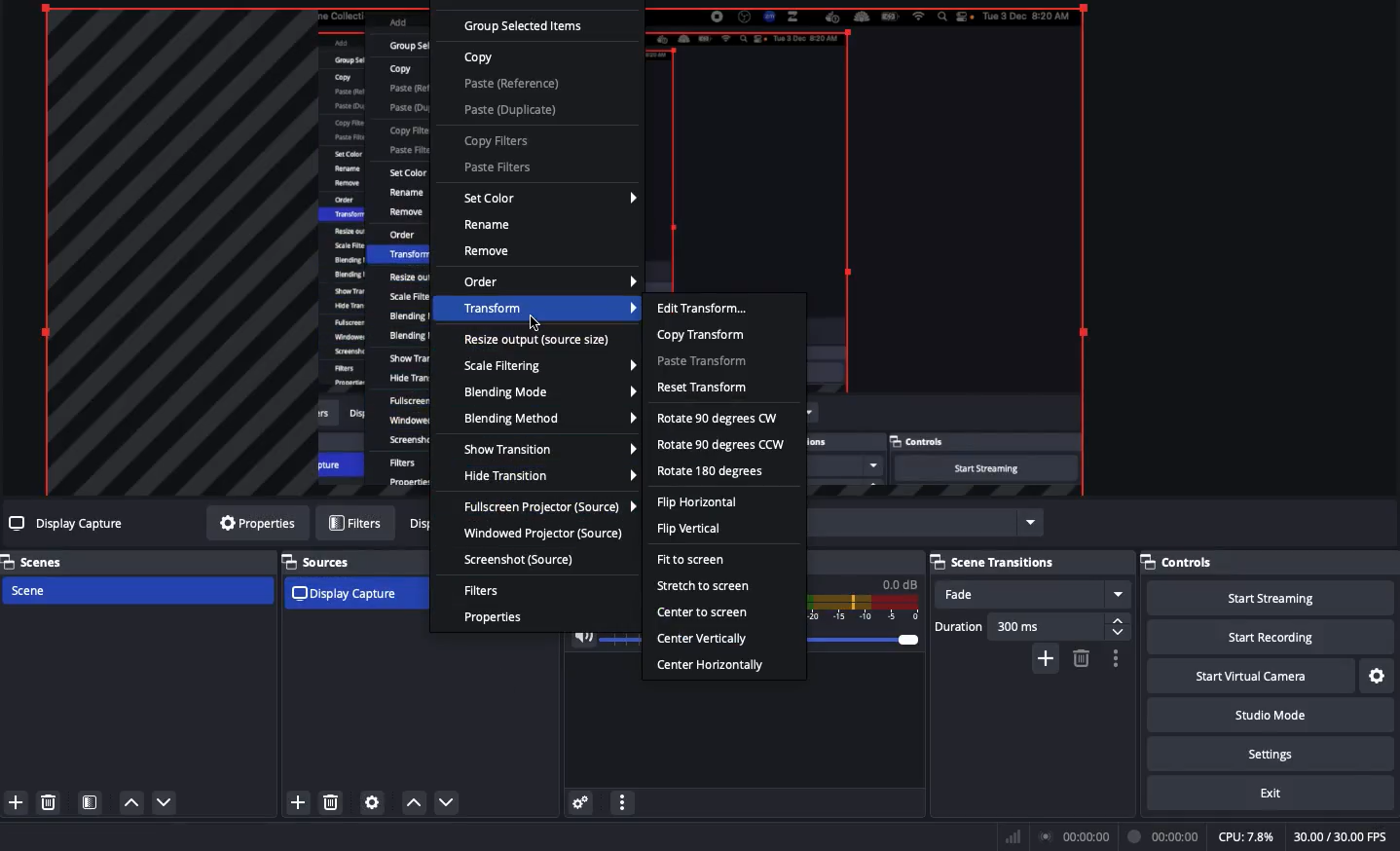 The width and height of the screenshot is (1400, 851). What do you see at coordinates (496, 167) in the screenshot?
I see `Paste filters` at bounding box center [496, 167].